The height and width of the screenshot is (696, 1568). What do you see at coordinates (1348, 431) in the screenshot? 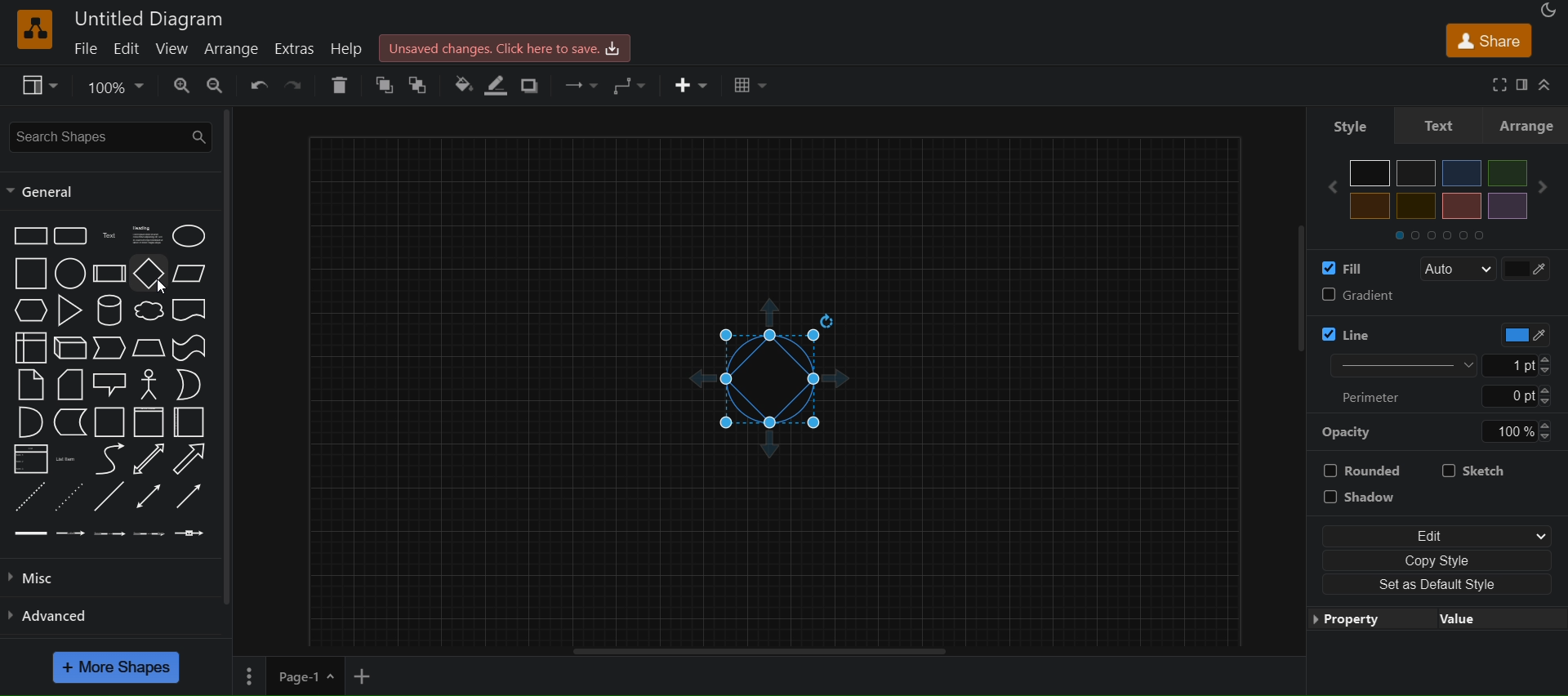
I see `opacity` at bounding box center [1348, 431].